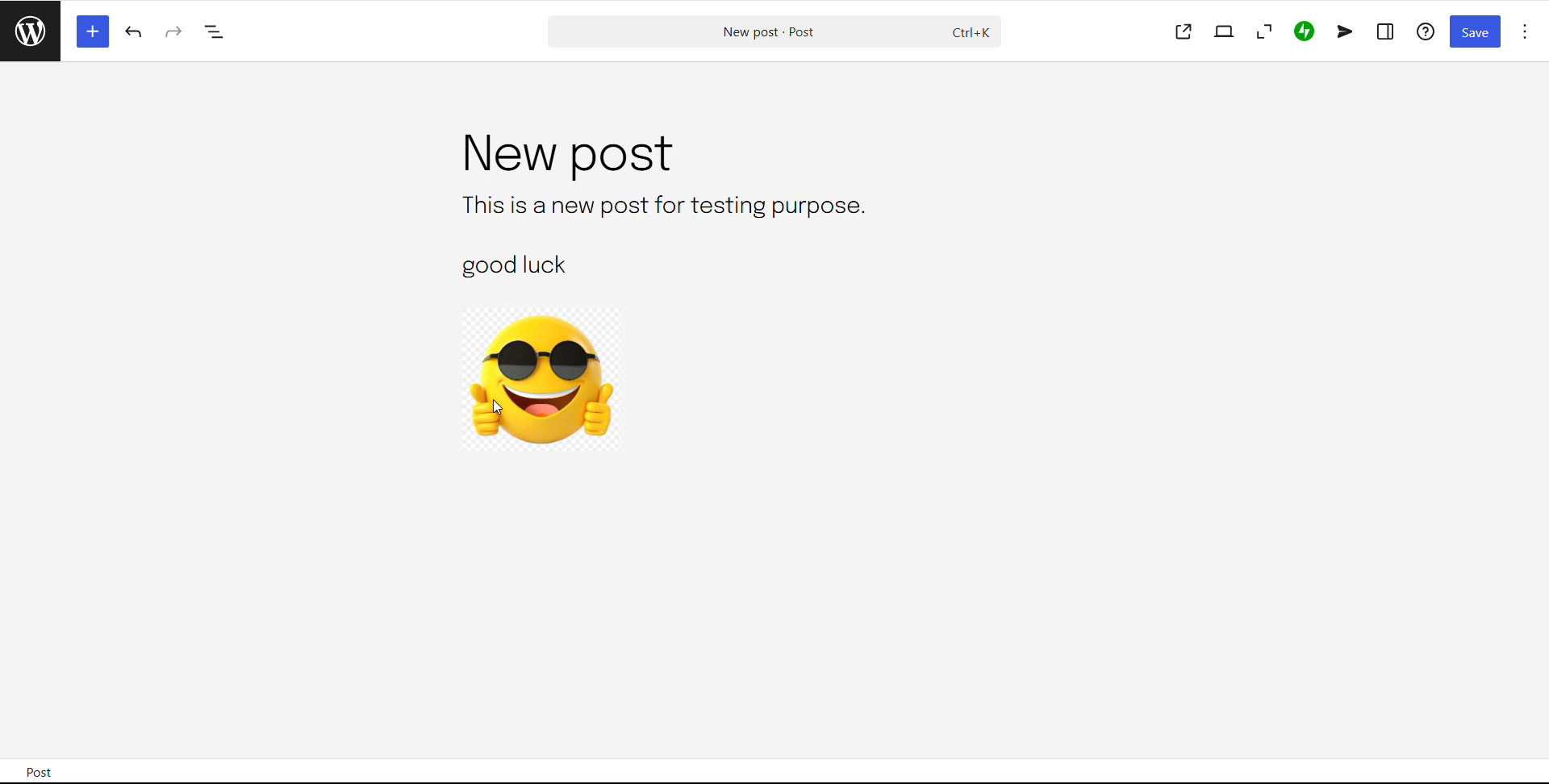  Describe the element at coordinates (537, 380) in the screenshot. I see `image block` at that location.